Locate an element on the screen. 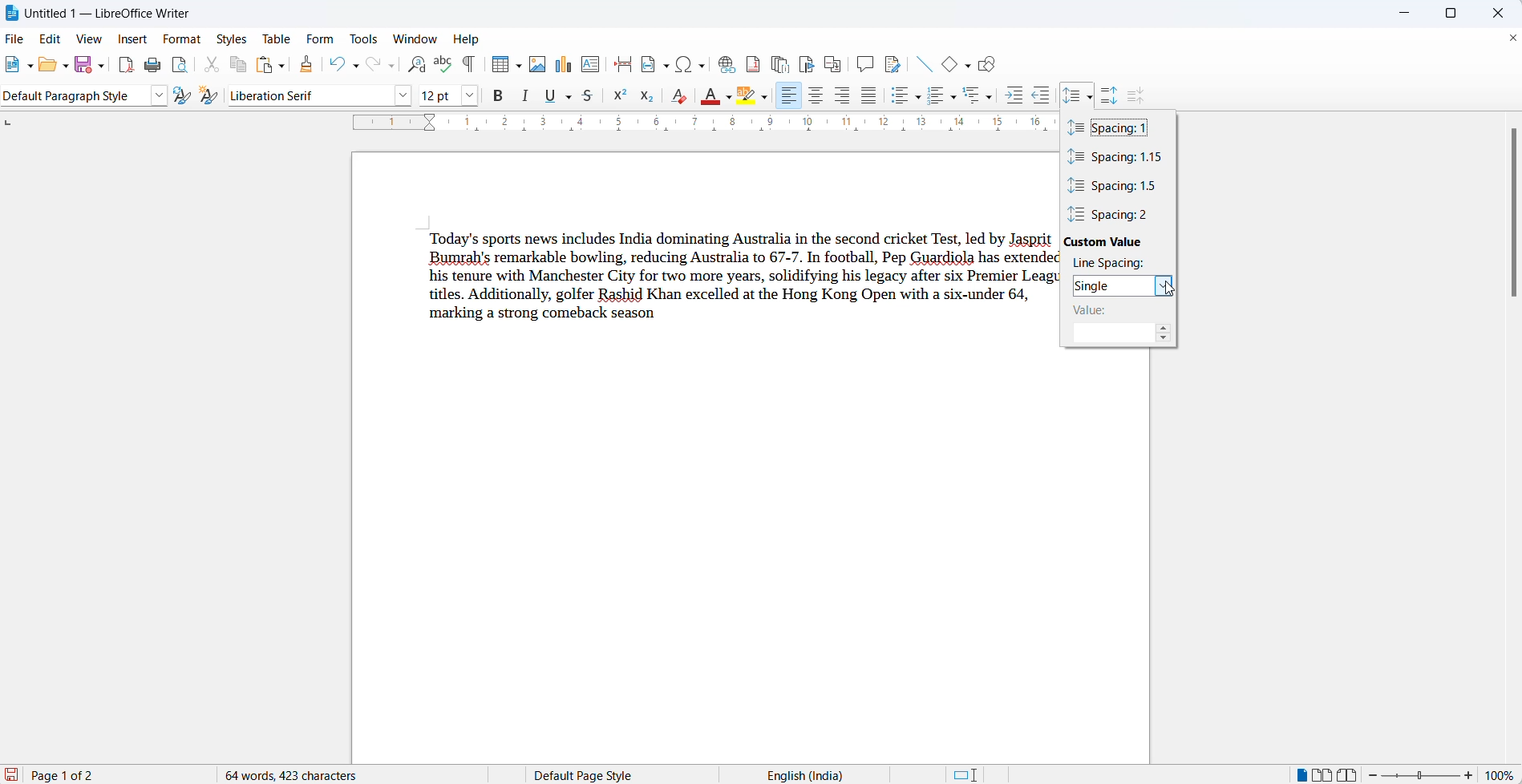 This screenshot has width=1522, height=784. table grid is located at coordinates (518, 68).